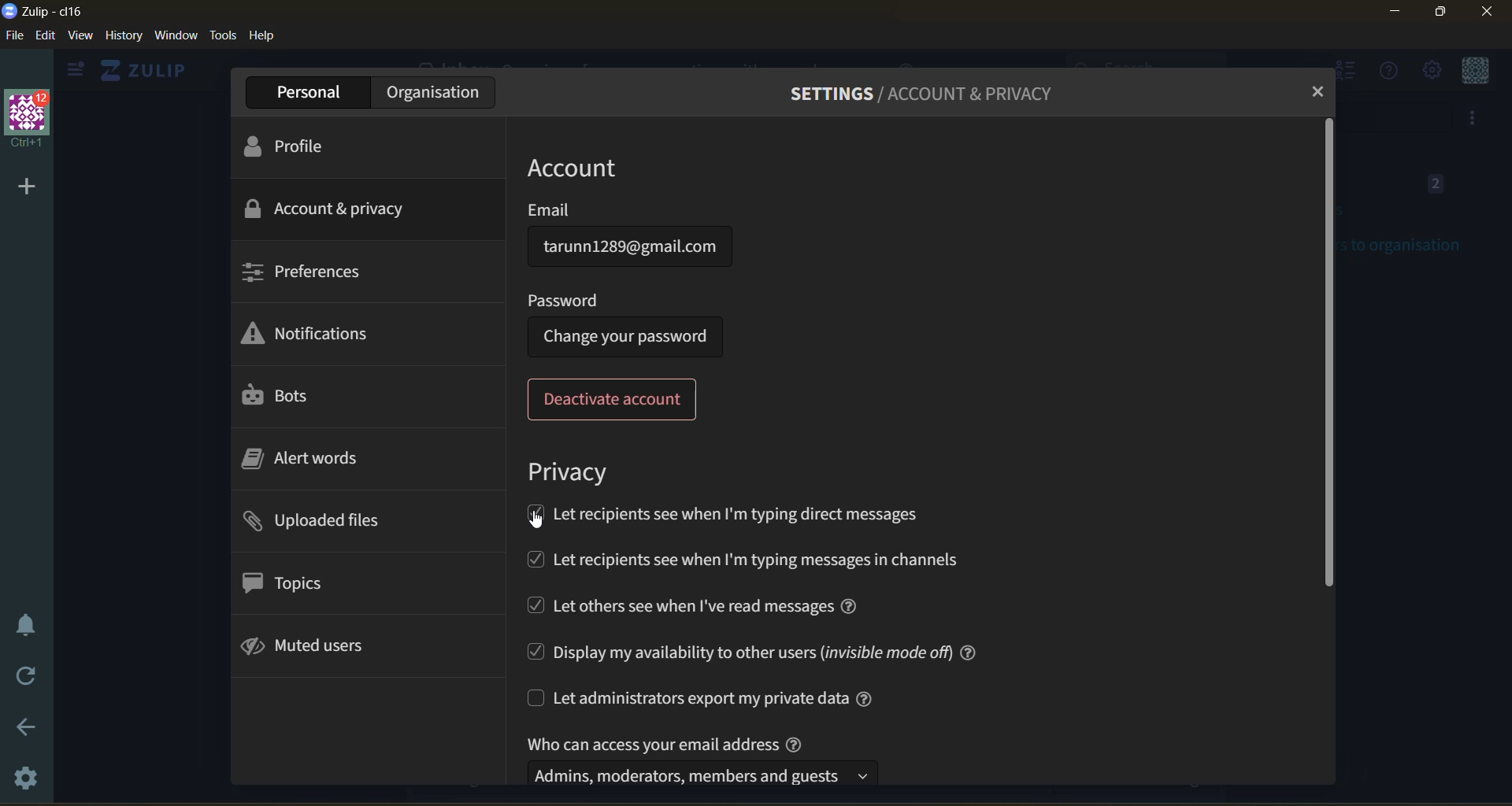 The image size is (1512, 806). What do you see at coordinates (751, 650) in the screenshot?
I see `display my availability to other users (invisible mode off)` at bounding box center [751, 650].